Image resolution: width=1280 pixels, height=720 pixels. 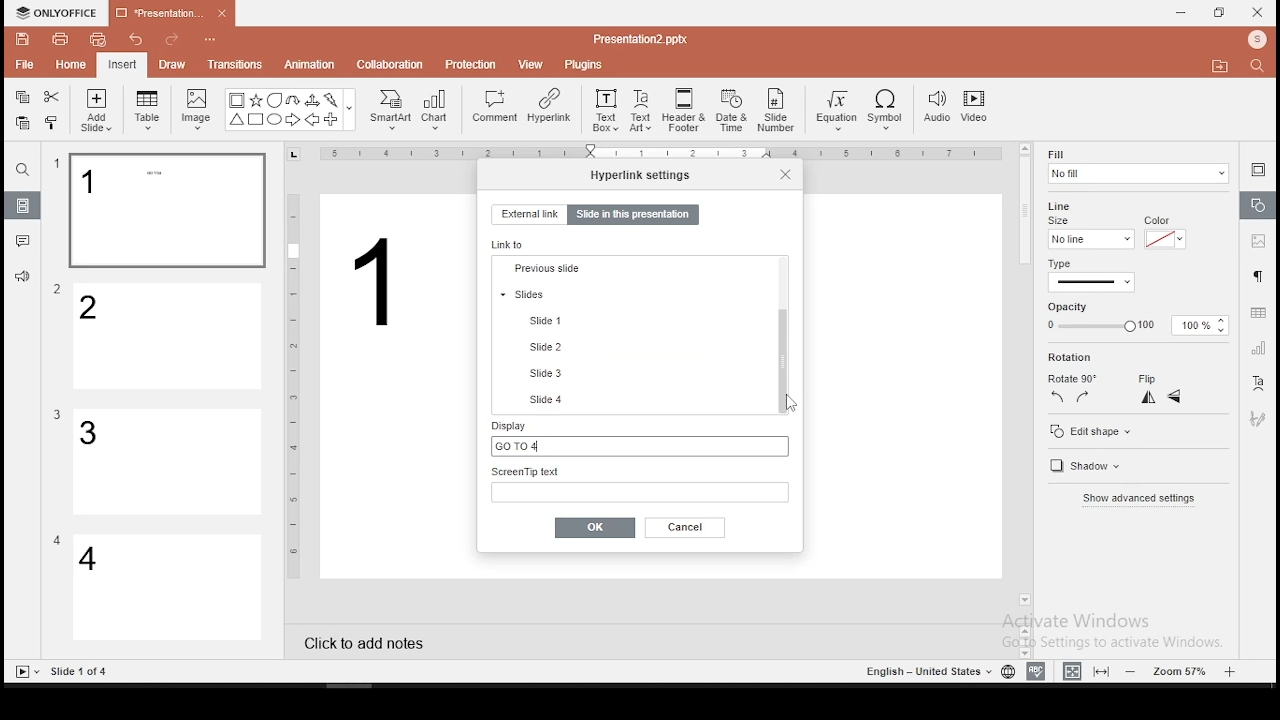 What do you see at coordinates (1090, 276) in the screenshot?
I see `line type` at bounding box center [1090, 276].